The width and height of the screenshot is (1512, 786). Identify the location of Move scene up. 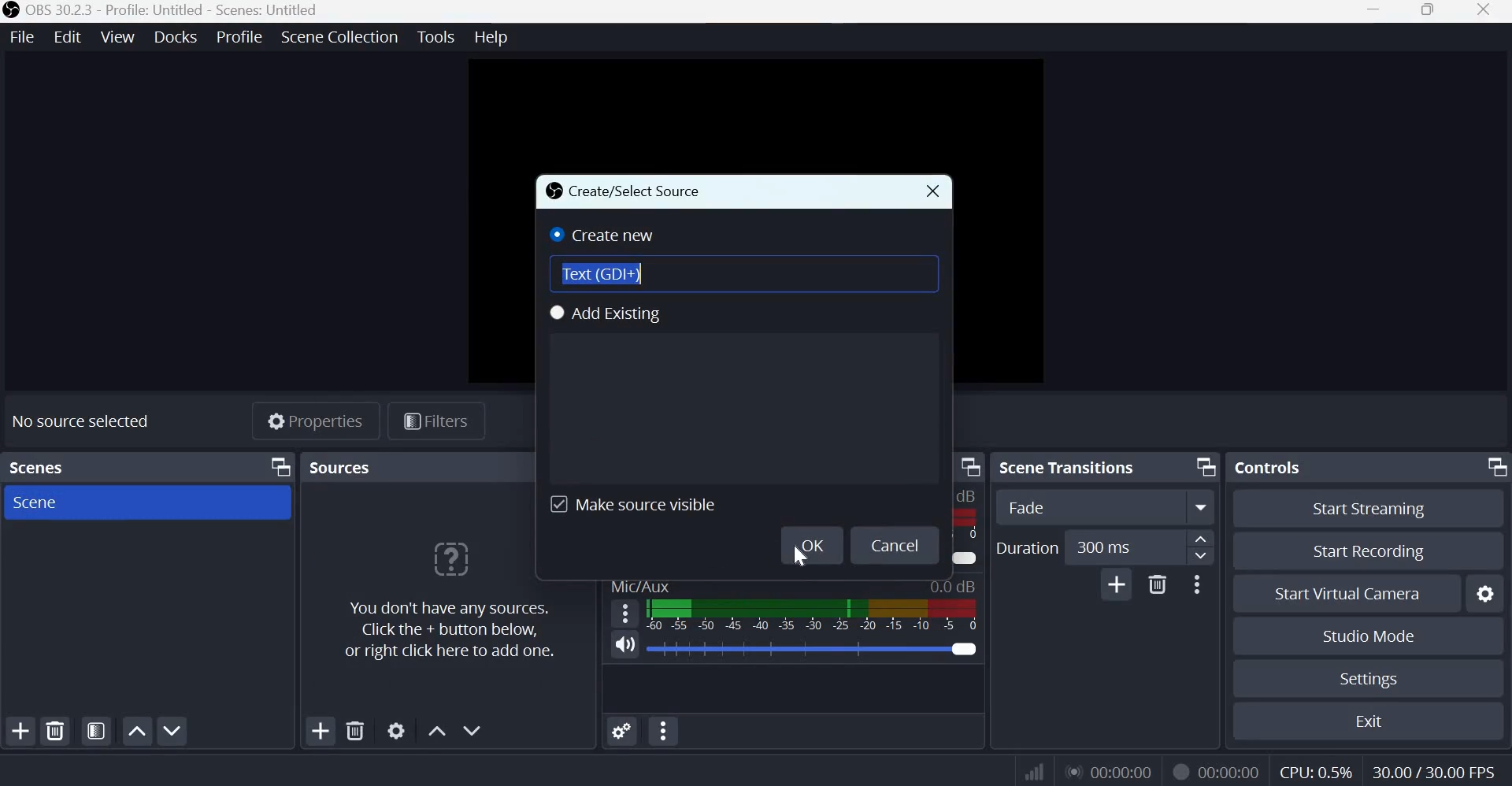
(136, 731).